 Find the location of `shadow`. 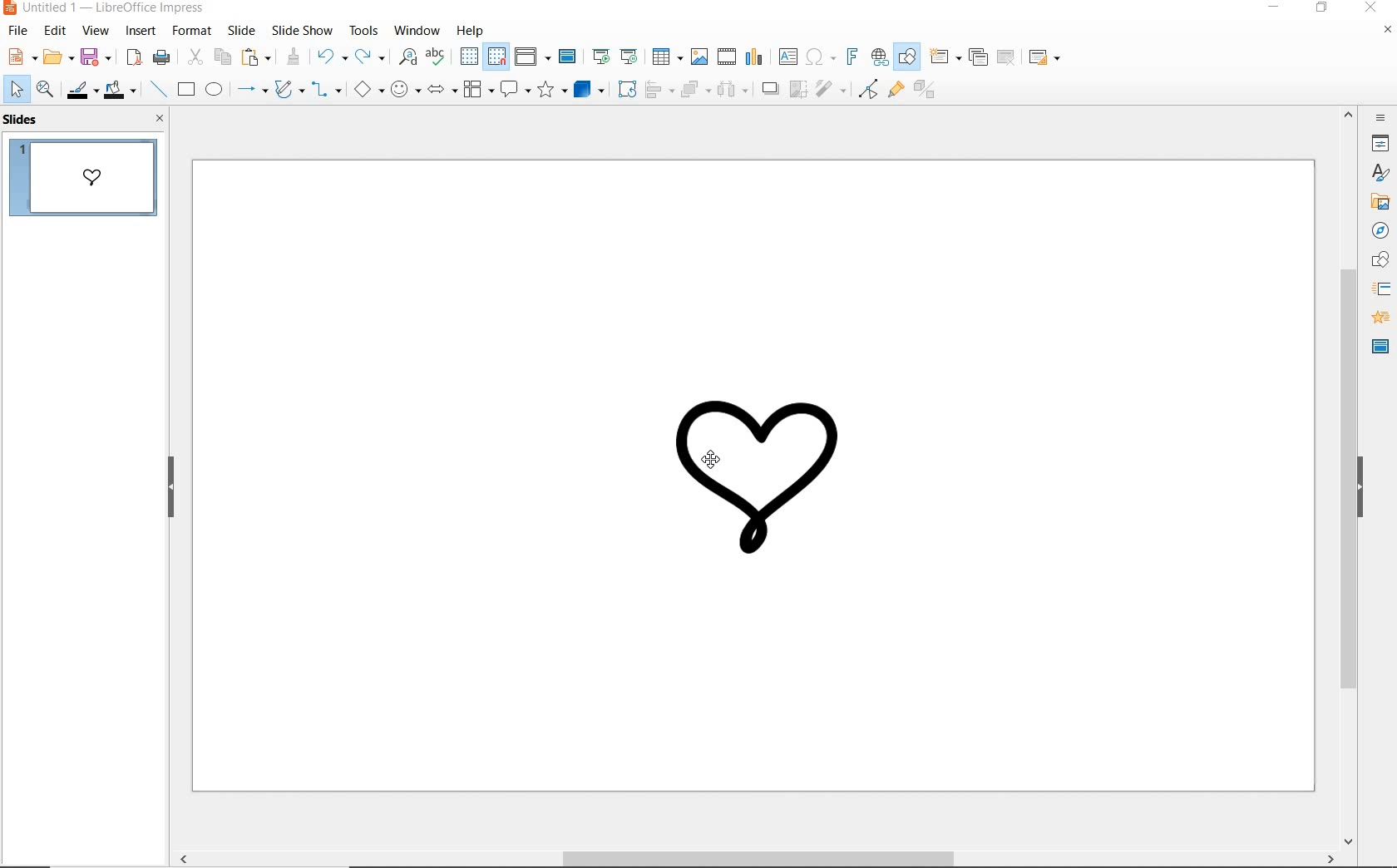

shadow is located at coordinates (769, 86).